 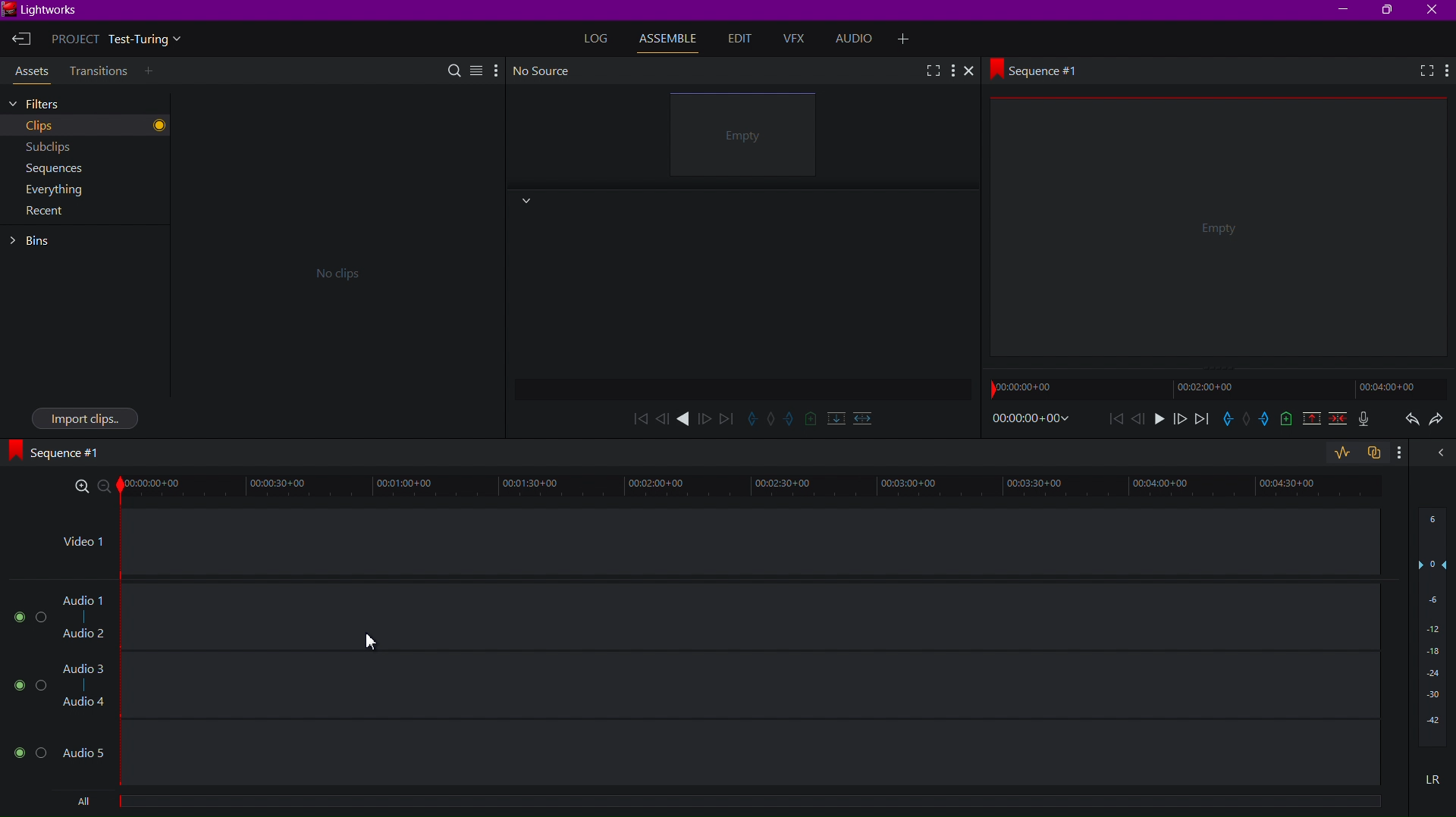 I want to click on Transitions, so click(x=97, y=71).